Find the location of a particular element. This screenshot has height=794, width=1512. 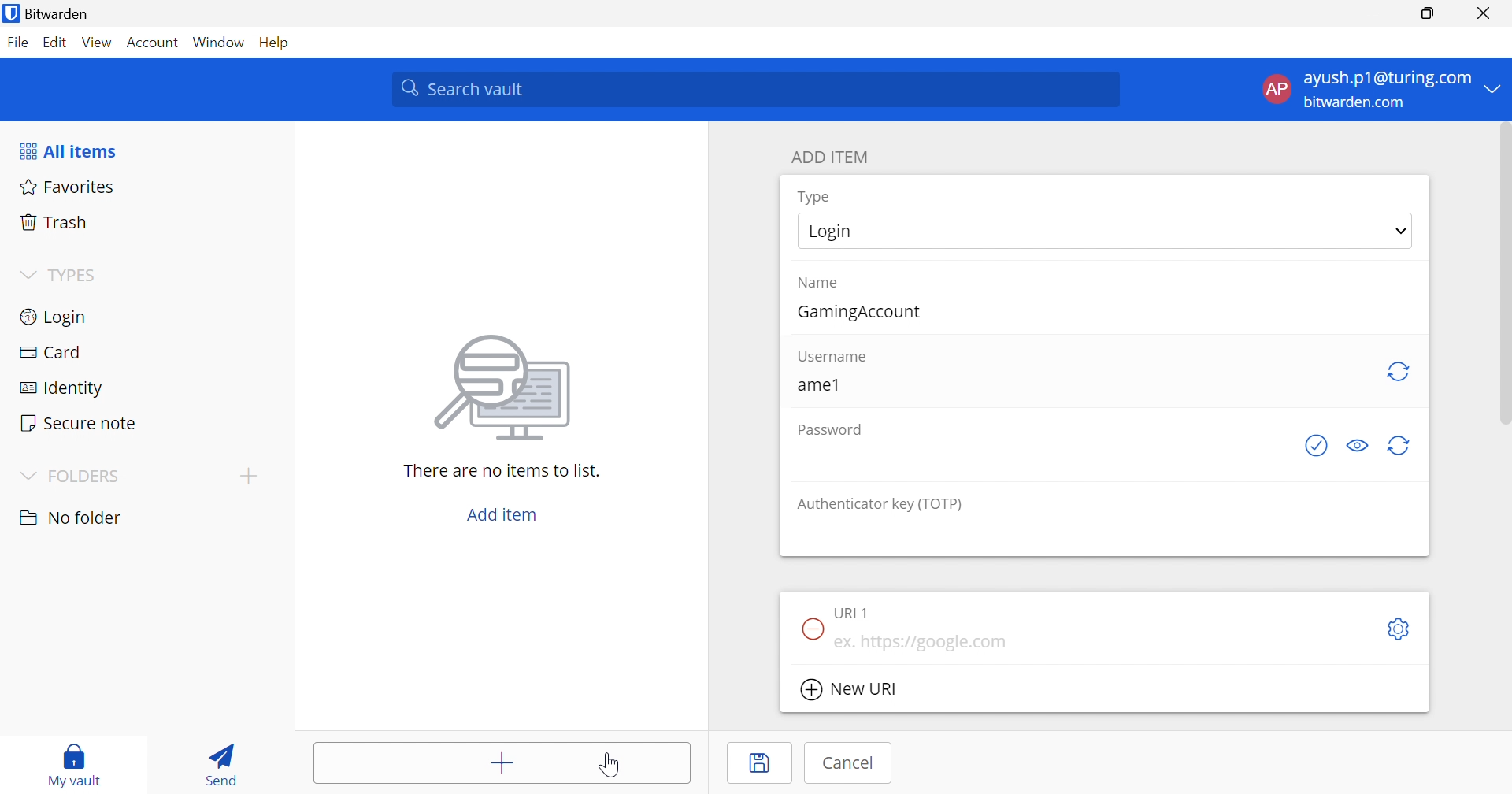

Secure note is located at coordinates (80, 421).